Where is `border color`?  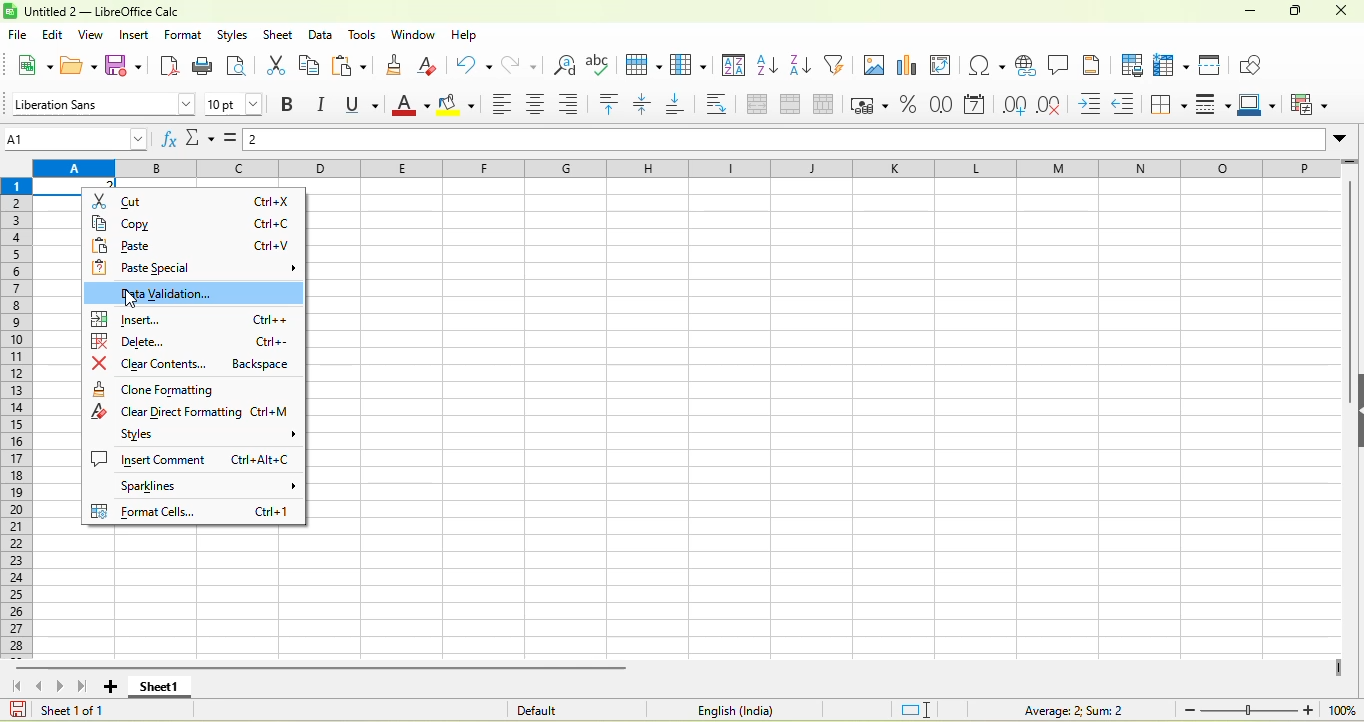 border color is located at coordinates (1261, 106).